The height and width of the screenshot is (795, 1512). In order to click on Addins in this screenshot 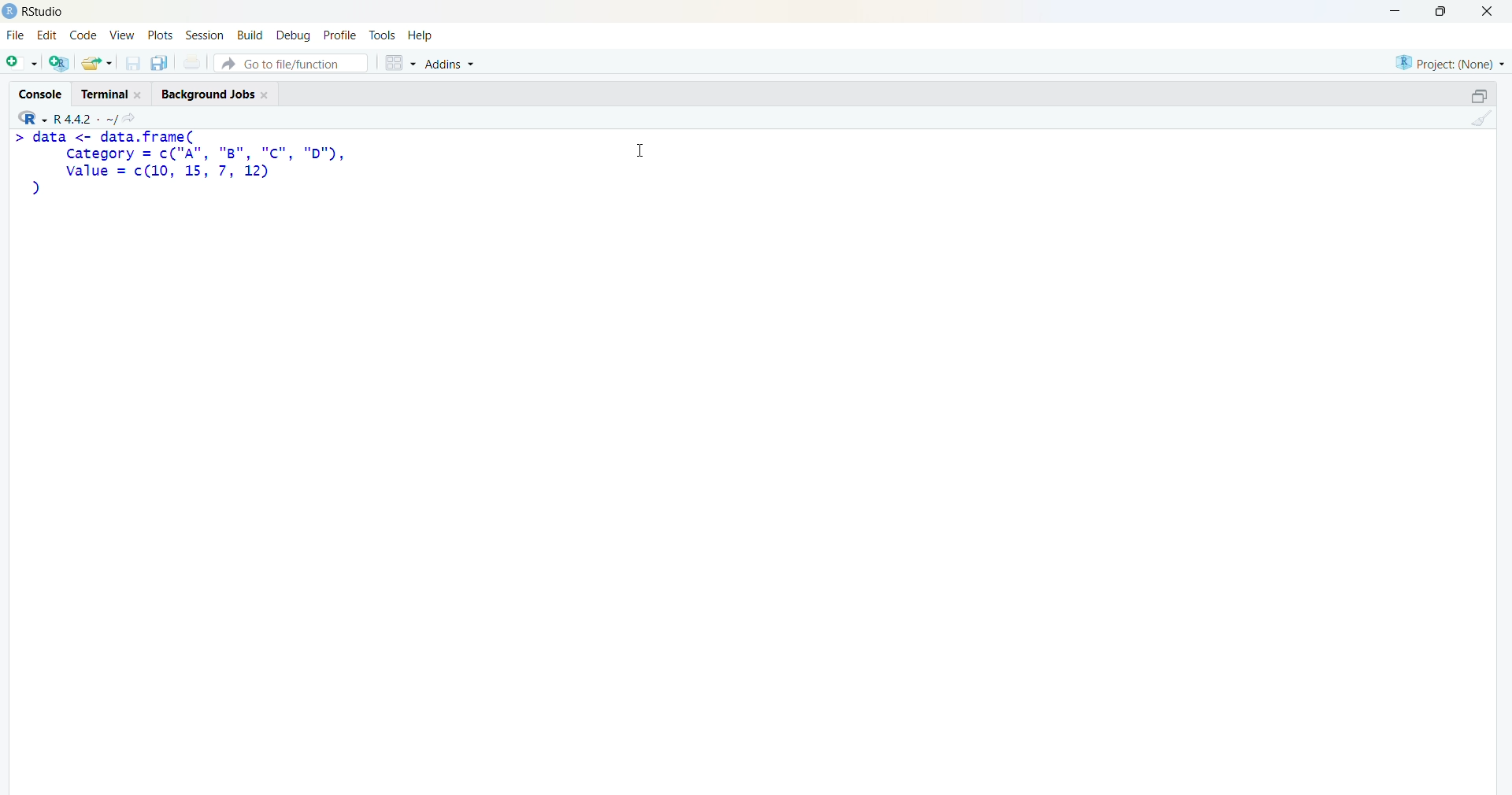, I will do `click(453, 65)`.